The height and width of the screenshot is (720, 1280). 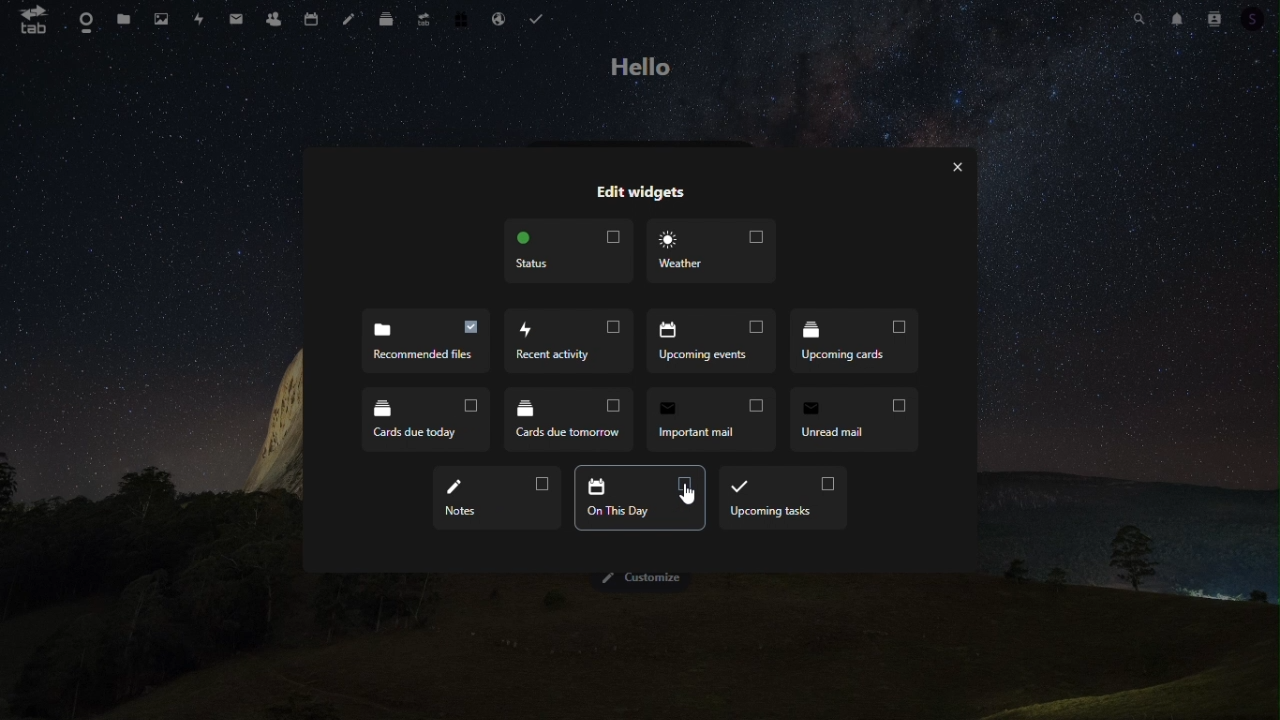 I want to click on Recommended files, so click(x=425, y=340).